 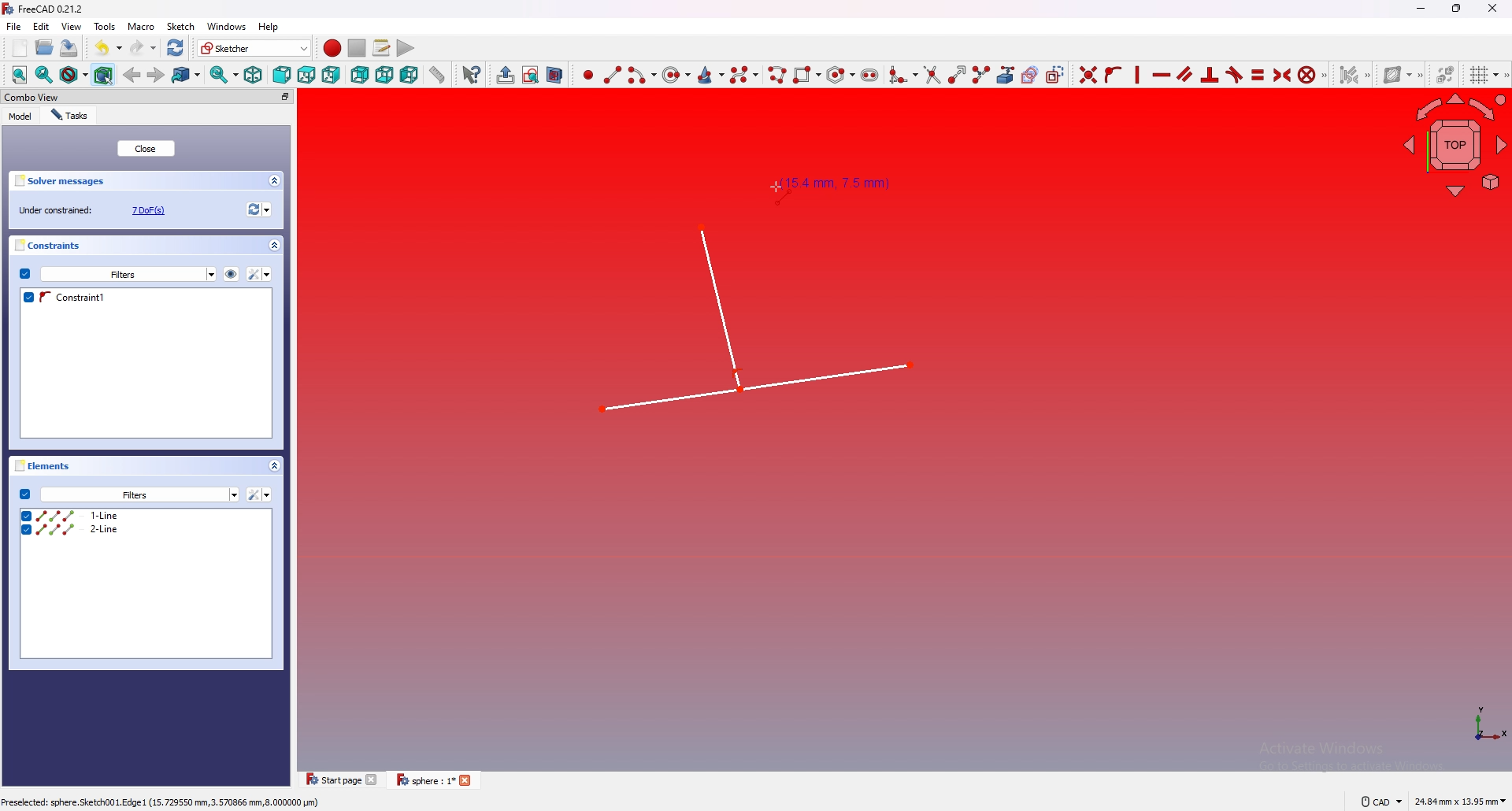 What do you see at coordinates (404, 47) in the screenshot?
I see `Execute macro` at bounding box center [404, 47].